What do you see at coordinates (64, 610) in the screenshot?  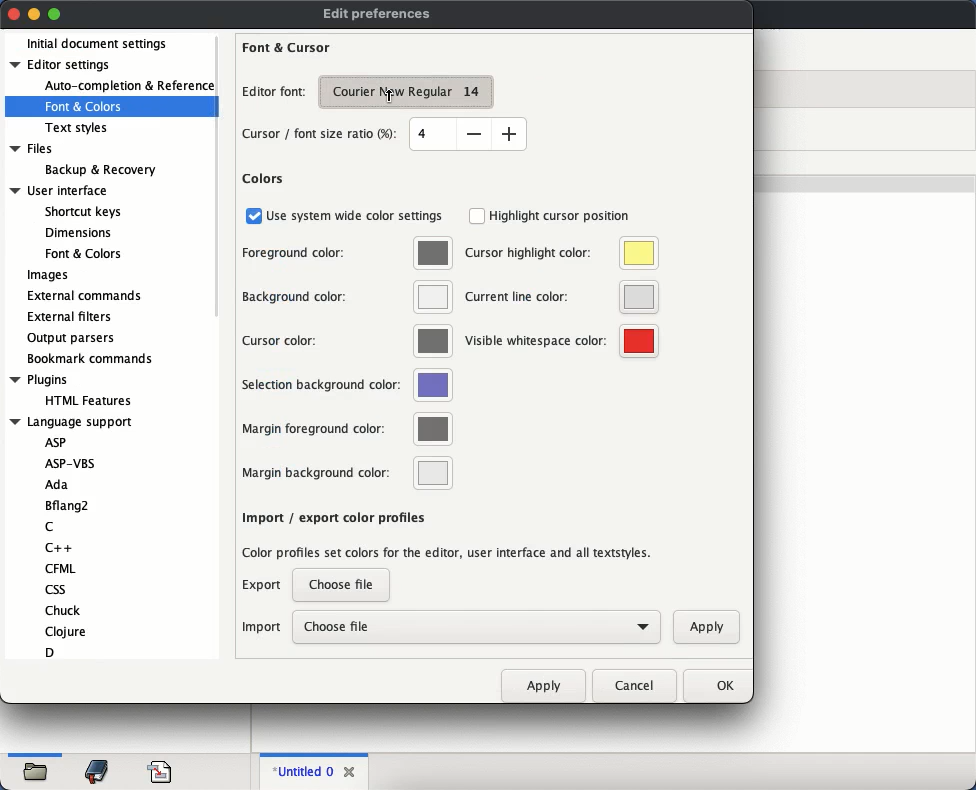 I see `chuck` at bounding box center [64, 610].